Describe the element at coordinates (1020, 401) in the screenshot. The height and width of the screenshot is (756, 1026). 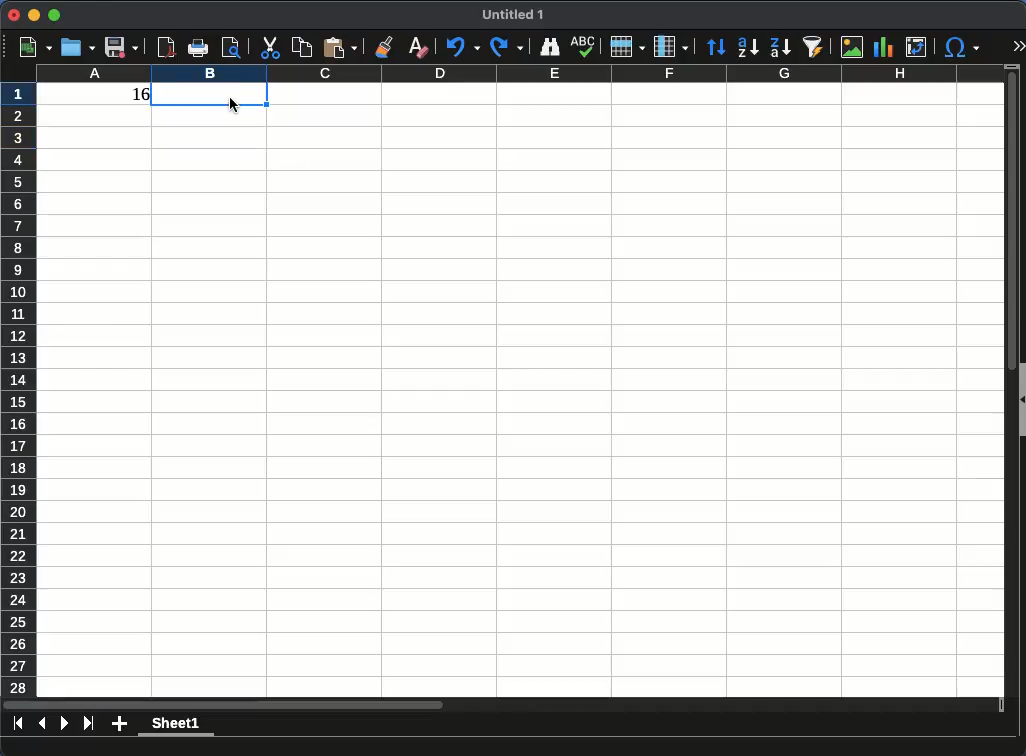
I see `collapse` at that location.